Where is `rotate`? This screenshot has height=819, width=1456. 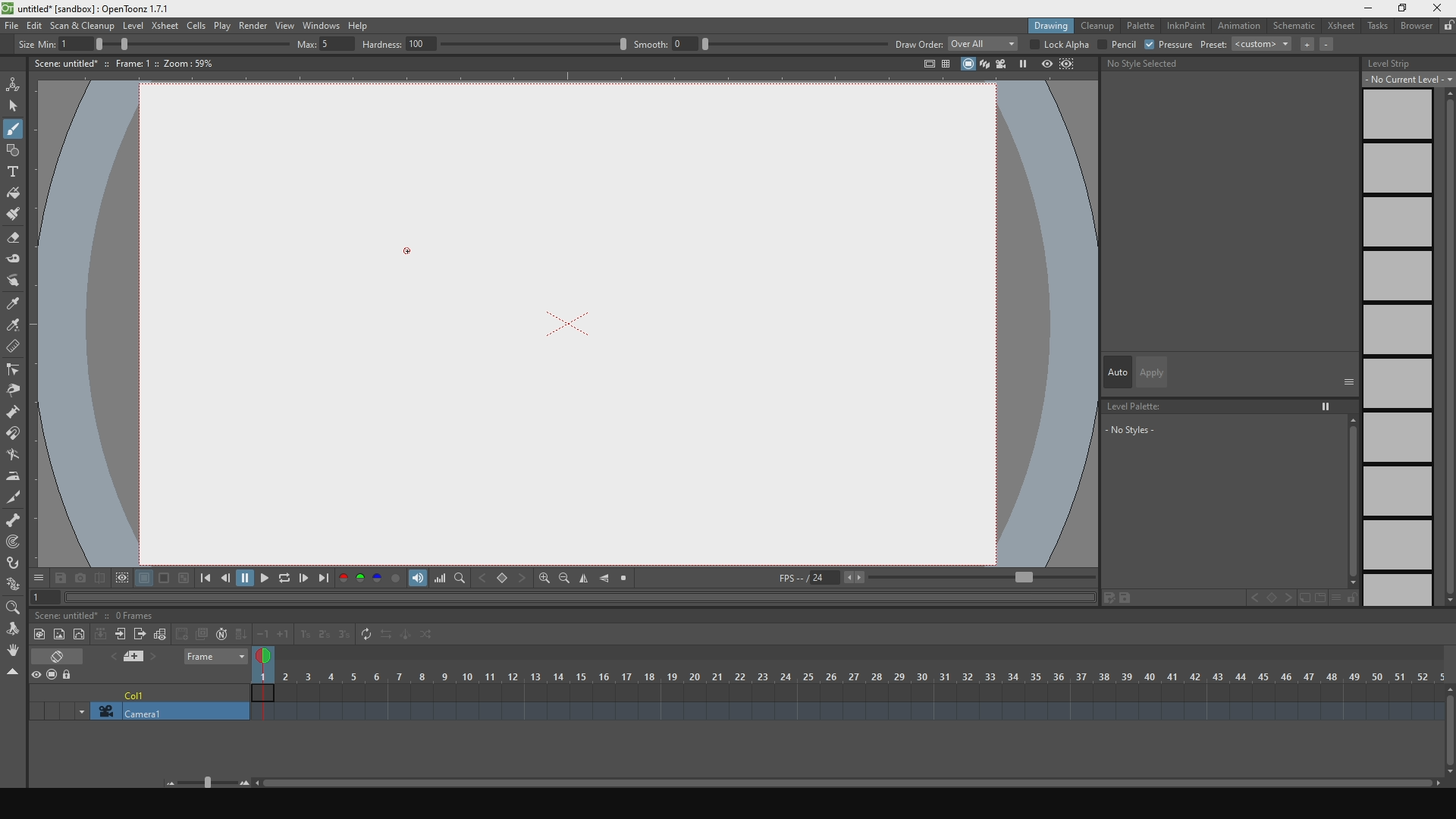 rotate is located at coordinates (14, 652).